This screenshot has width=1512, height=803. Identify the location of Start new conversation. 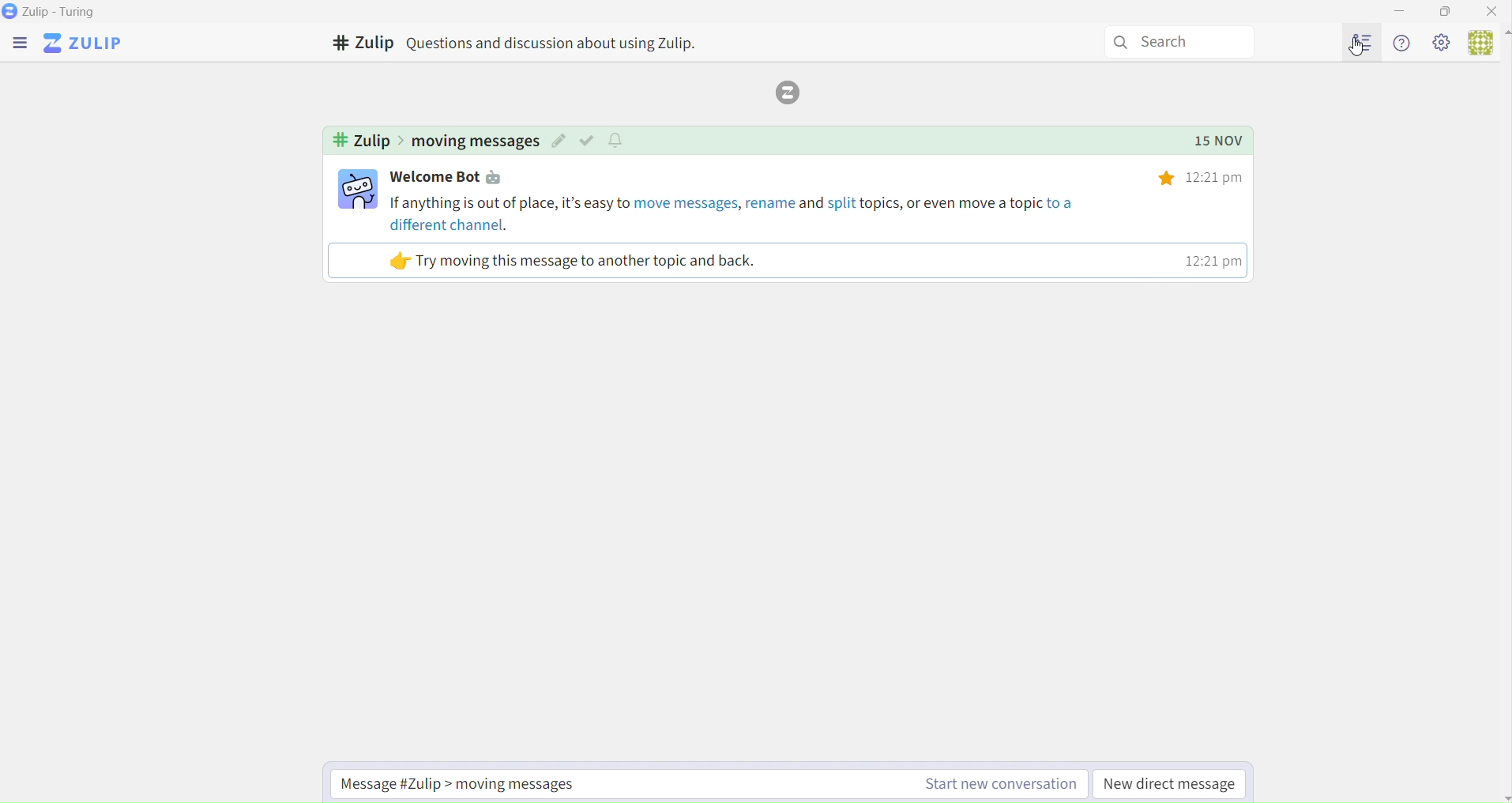
(997, 786).